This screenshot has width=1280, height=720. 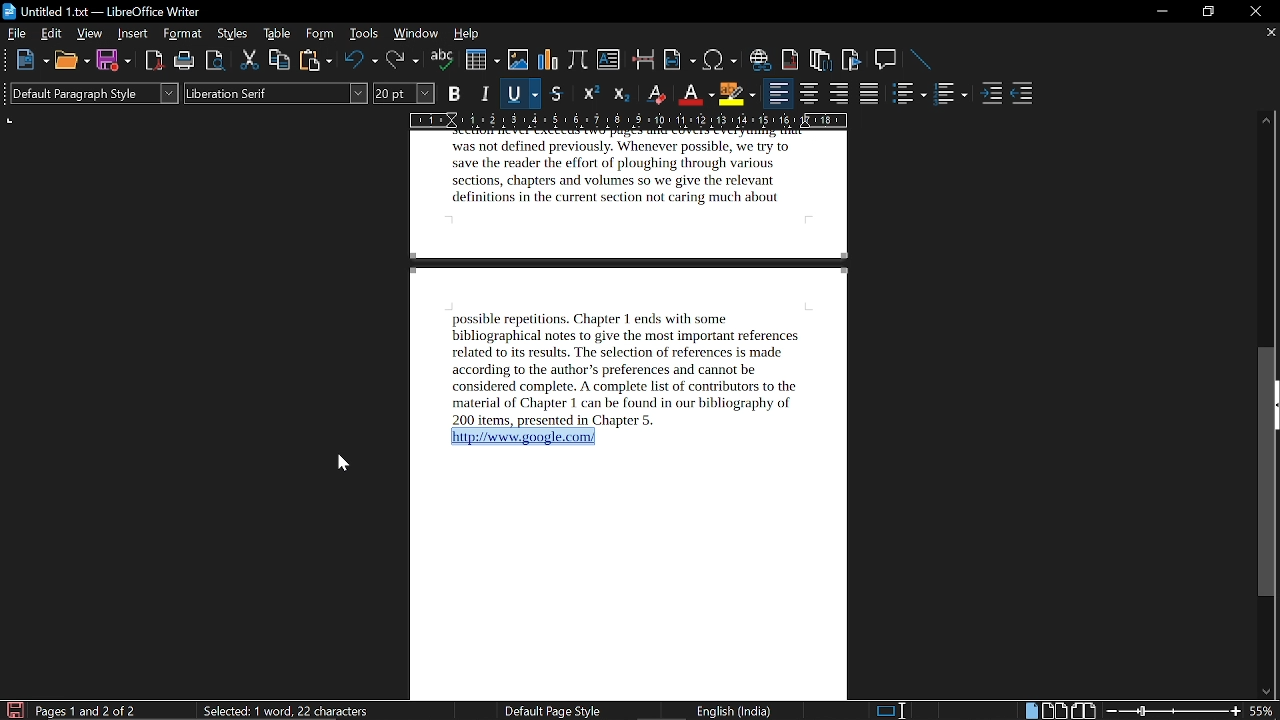 I want to click on cursor, so click(x=338, y=466).